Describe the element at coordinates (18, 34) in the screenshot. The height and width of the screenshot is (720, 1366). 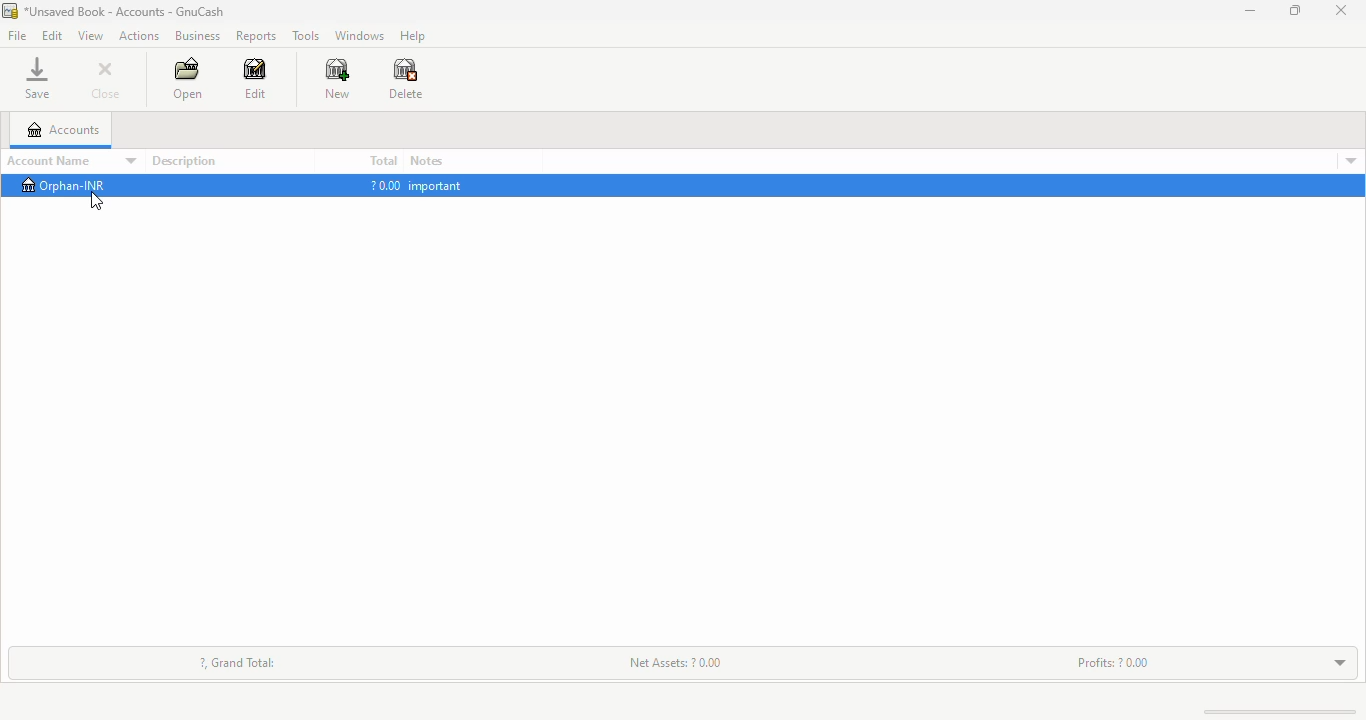
I see `file` at that location.